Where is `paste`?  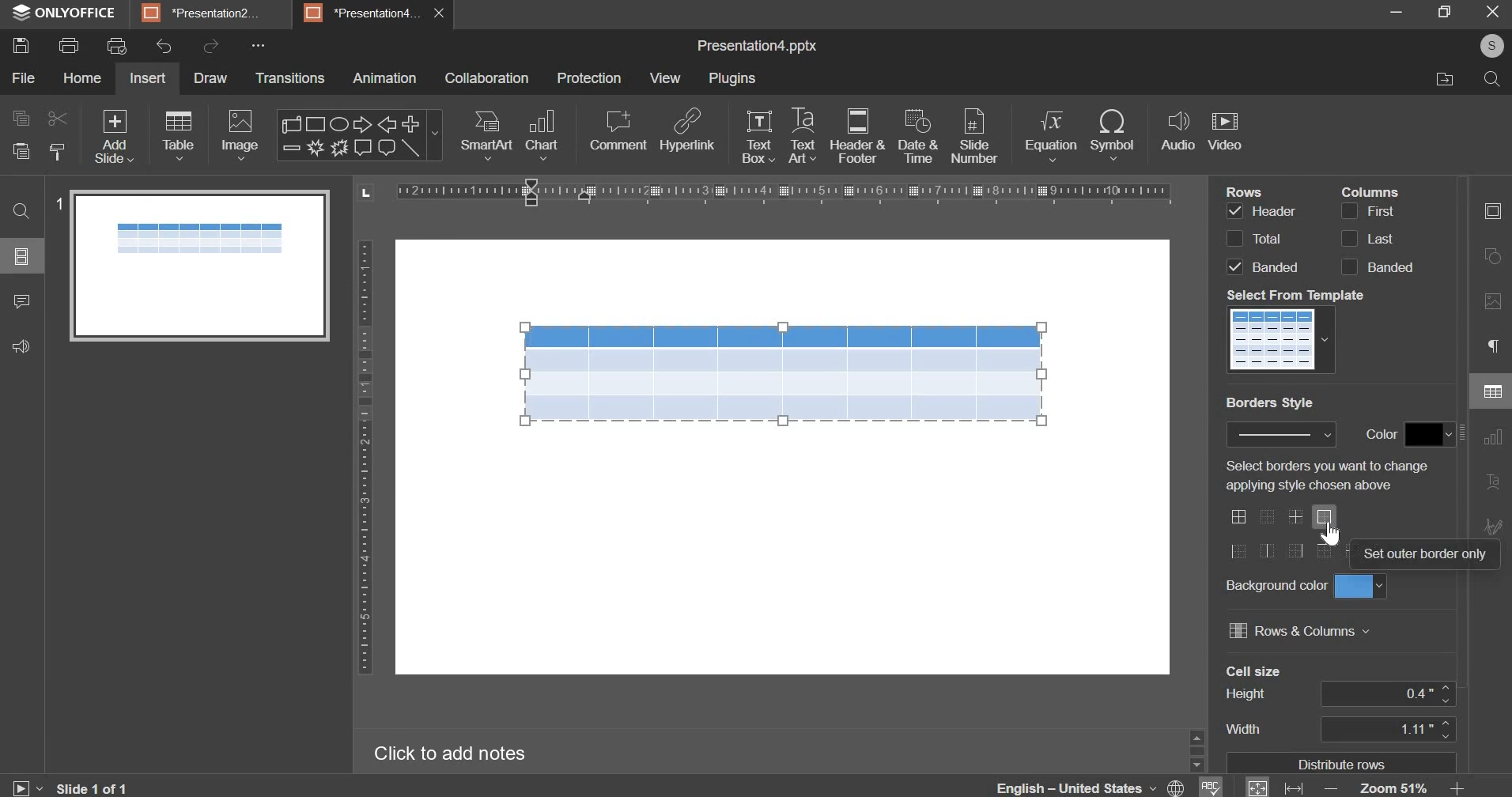
paste is located at coordinates (21, 150).